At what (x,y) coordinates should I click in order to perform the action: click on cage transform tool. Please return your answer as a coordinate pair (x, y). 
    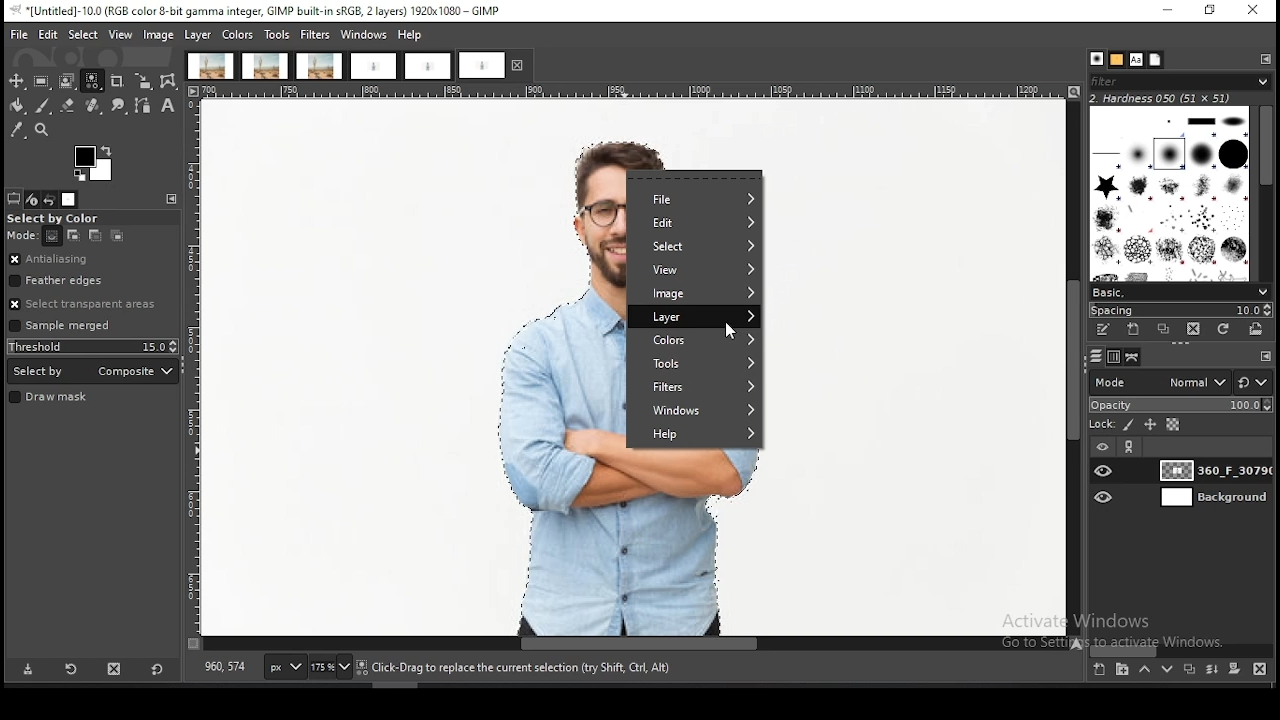
    Looking at the image, I should click on (170, 81).